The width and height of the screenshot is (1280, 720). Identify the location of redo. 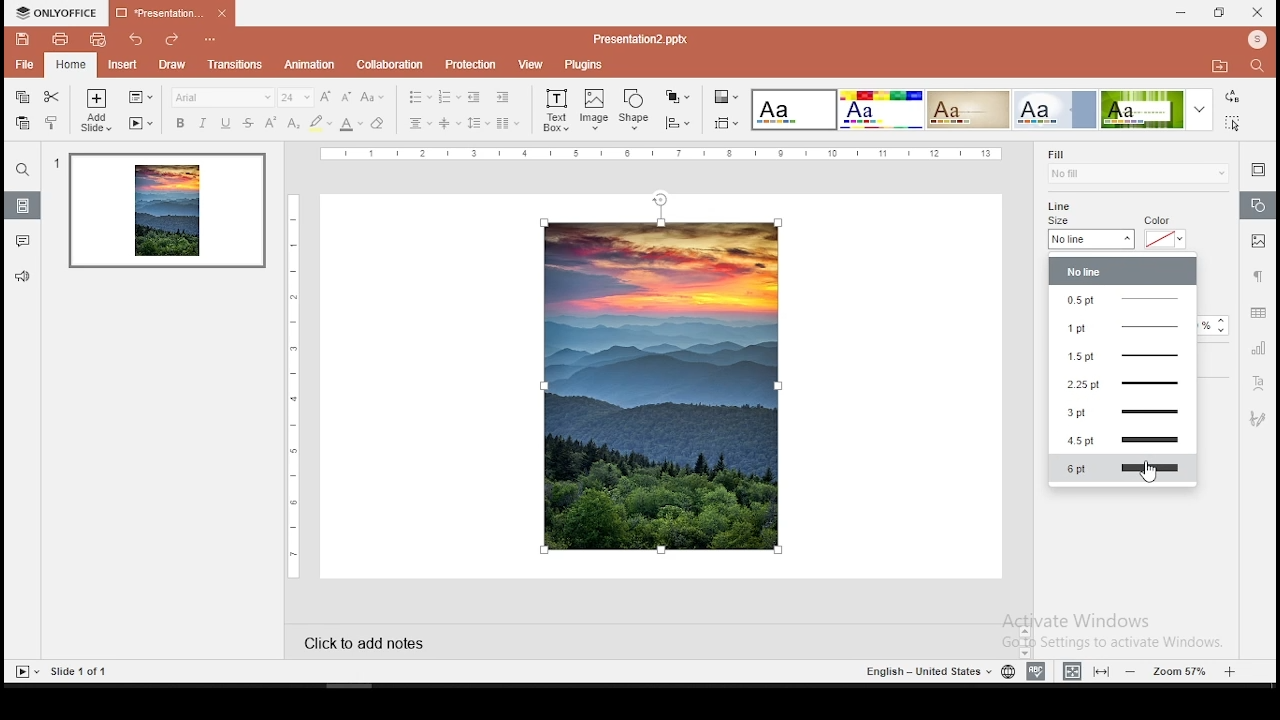
(172, 41).